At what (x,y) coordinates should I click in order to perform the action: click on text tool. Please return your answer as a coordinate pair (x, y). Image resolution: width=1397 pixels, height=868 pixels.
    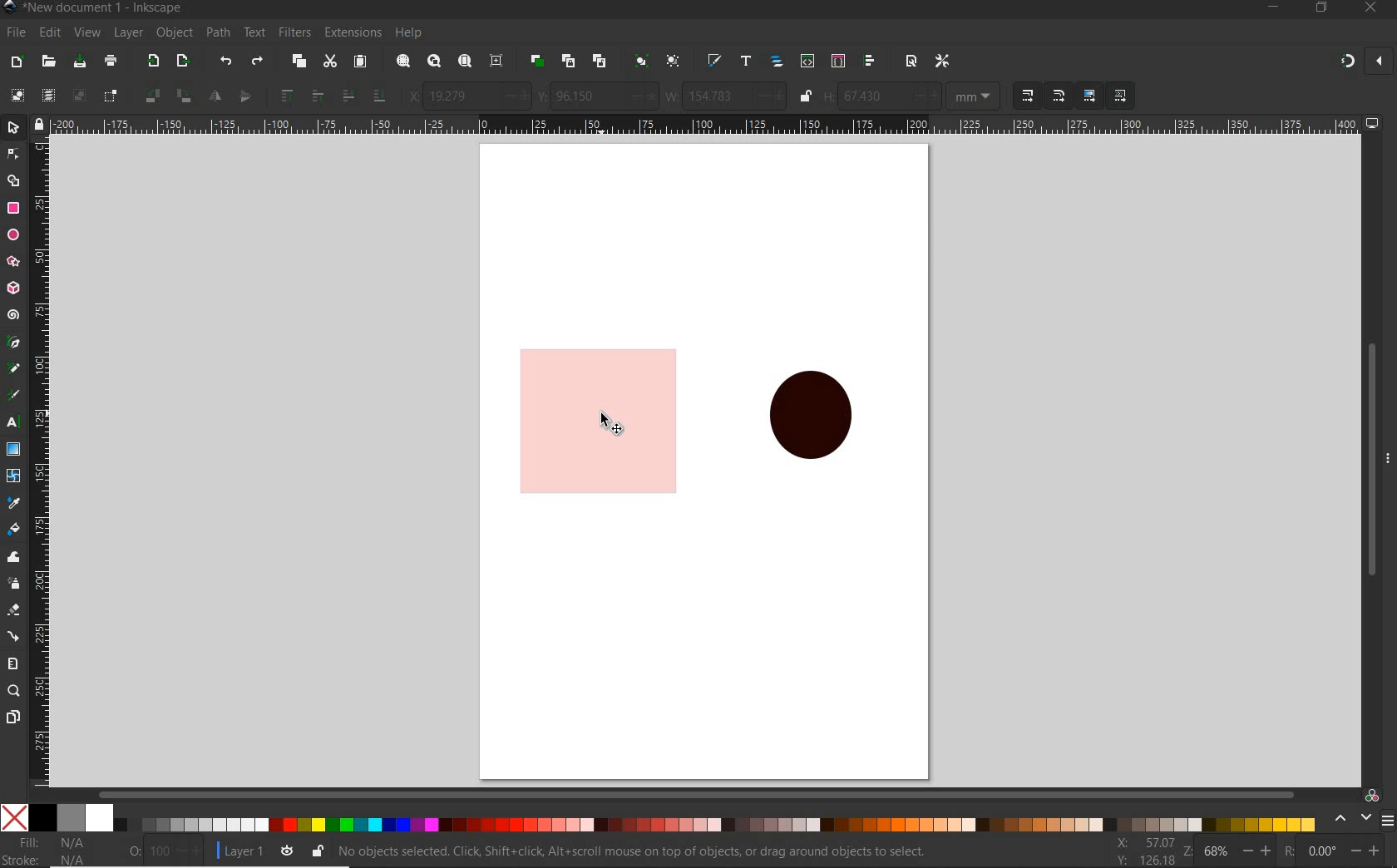
    Looking at the image, I should click on (11, 423).